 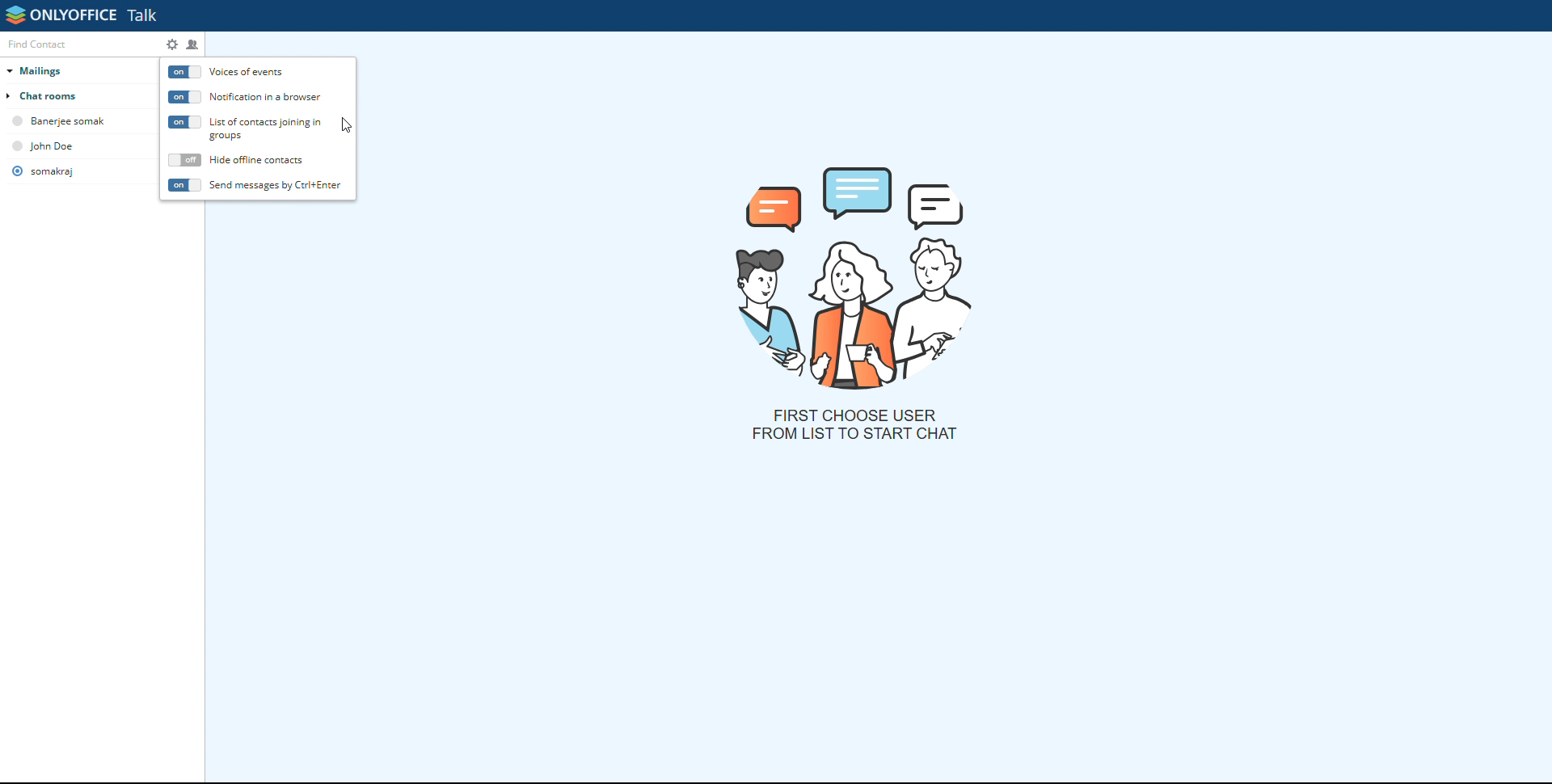 What do you see at coordinates (858, 275) in the screenshot?
I see `picture` at bounding box center [858, 275].